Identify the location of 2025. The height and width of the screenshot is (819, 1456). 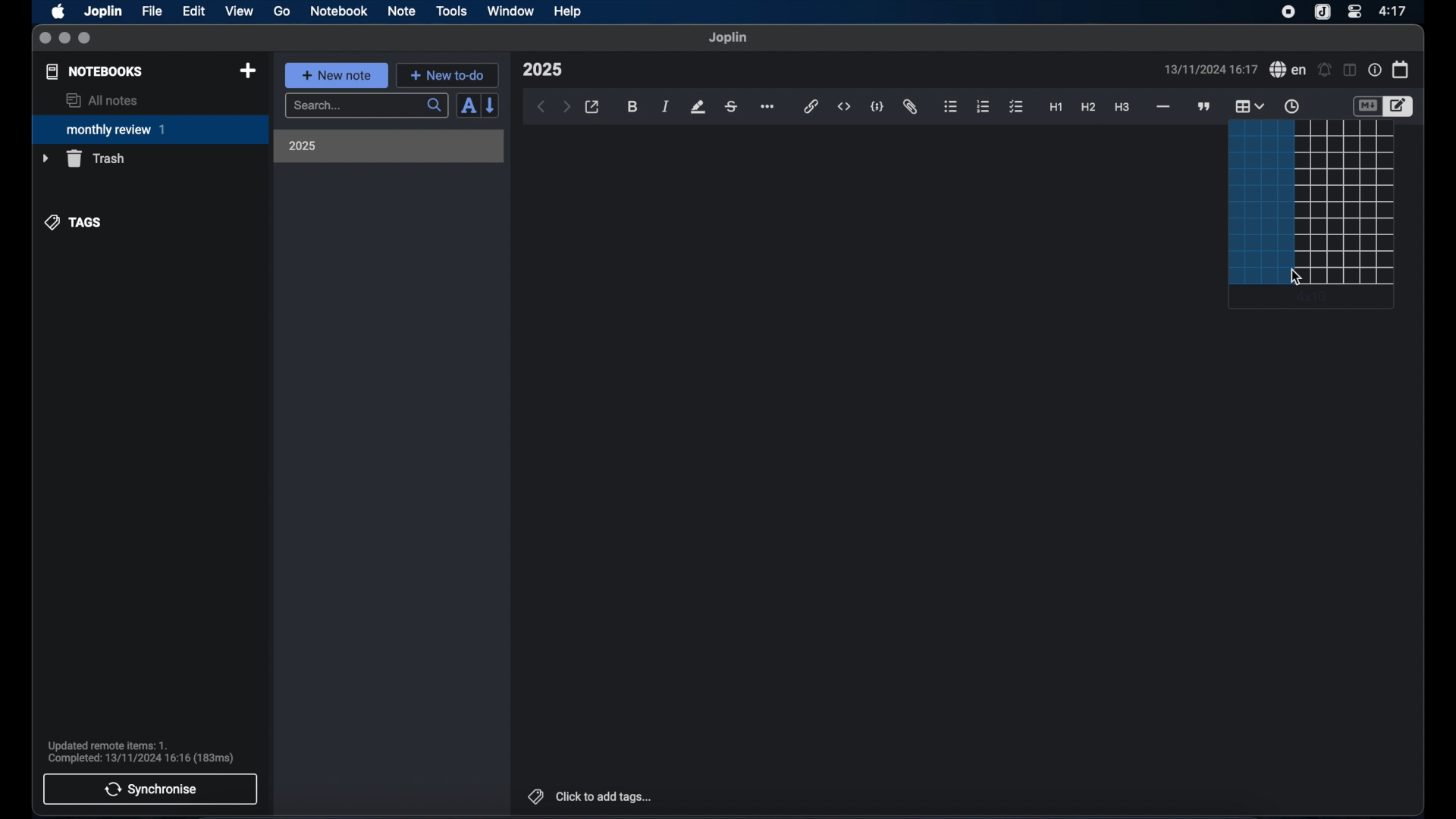
(303, 146).